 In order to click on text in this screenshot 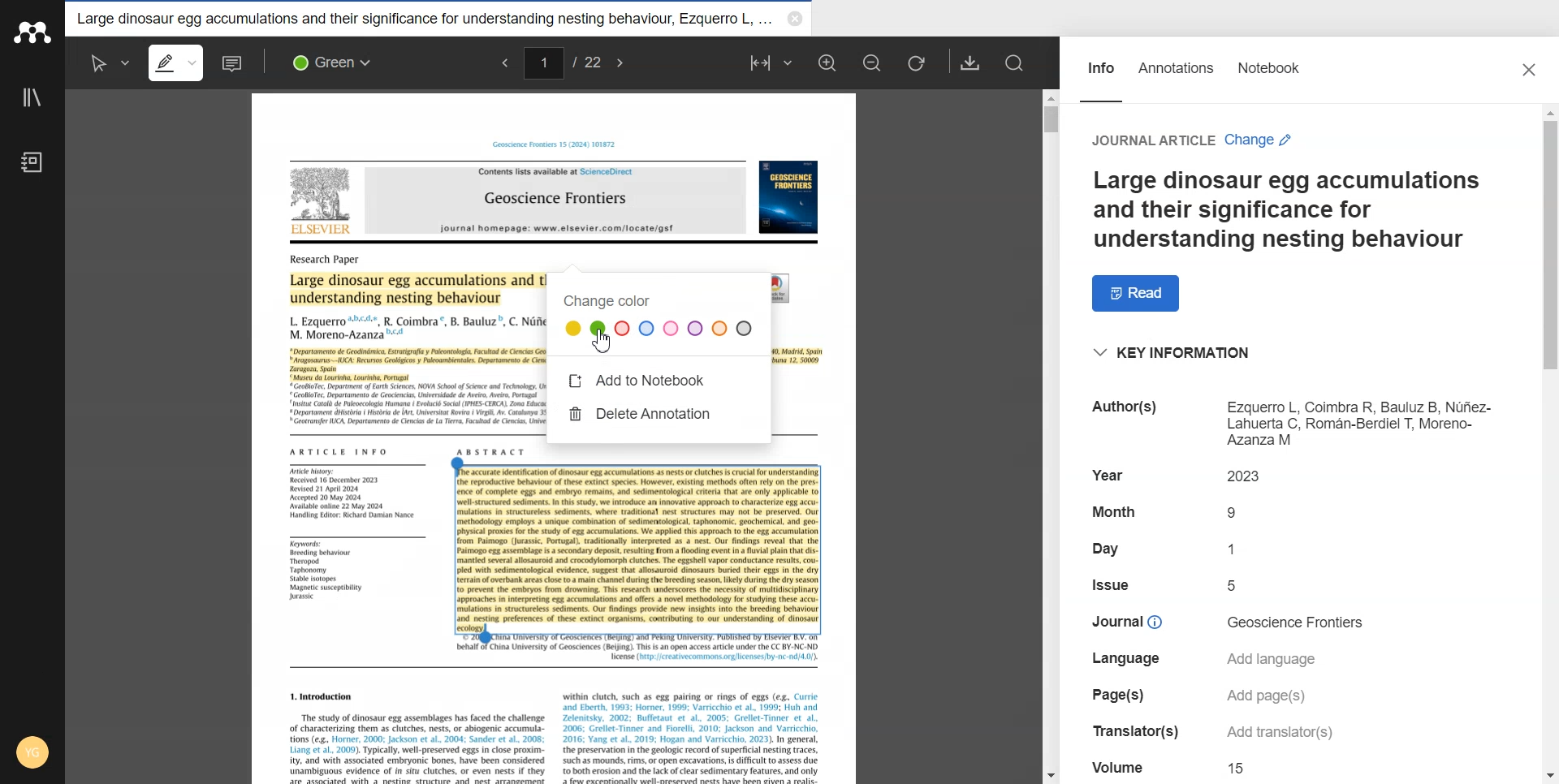, I will do `click(1118, 694)`.